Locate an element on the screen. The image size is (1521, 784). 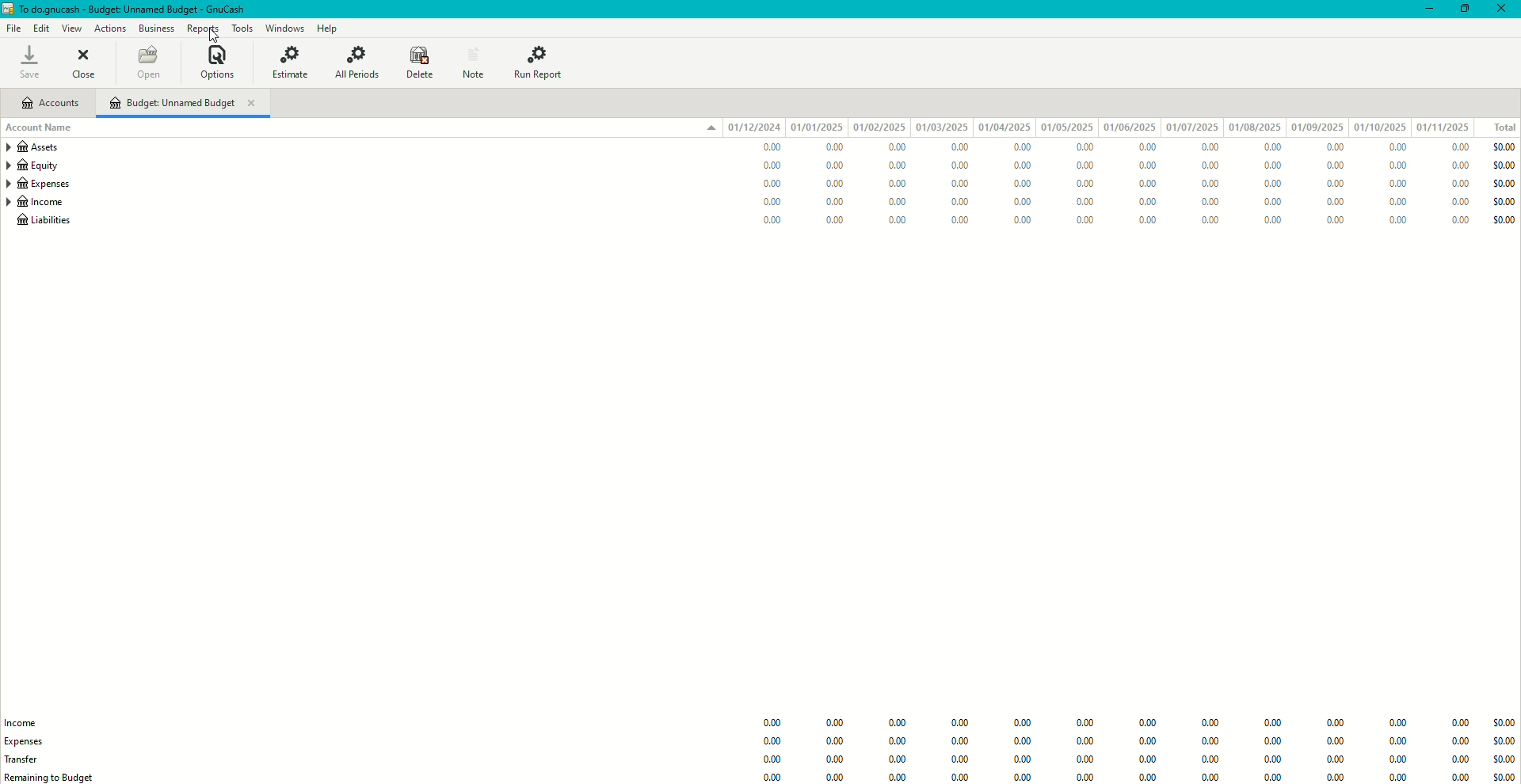
0.00 is located at coordinates (1149, 725).